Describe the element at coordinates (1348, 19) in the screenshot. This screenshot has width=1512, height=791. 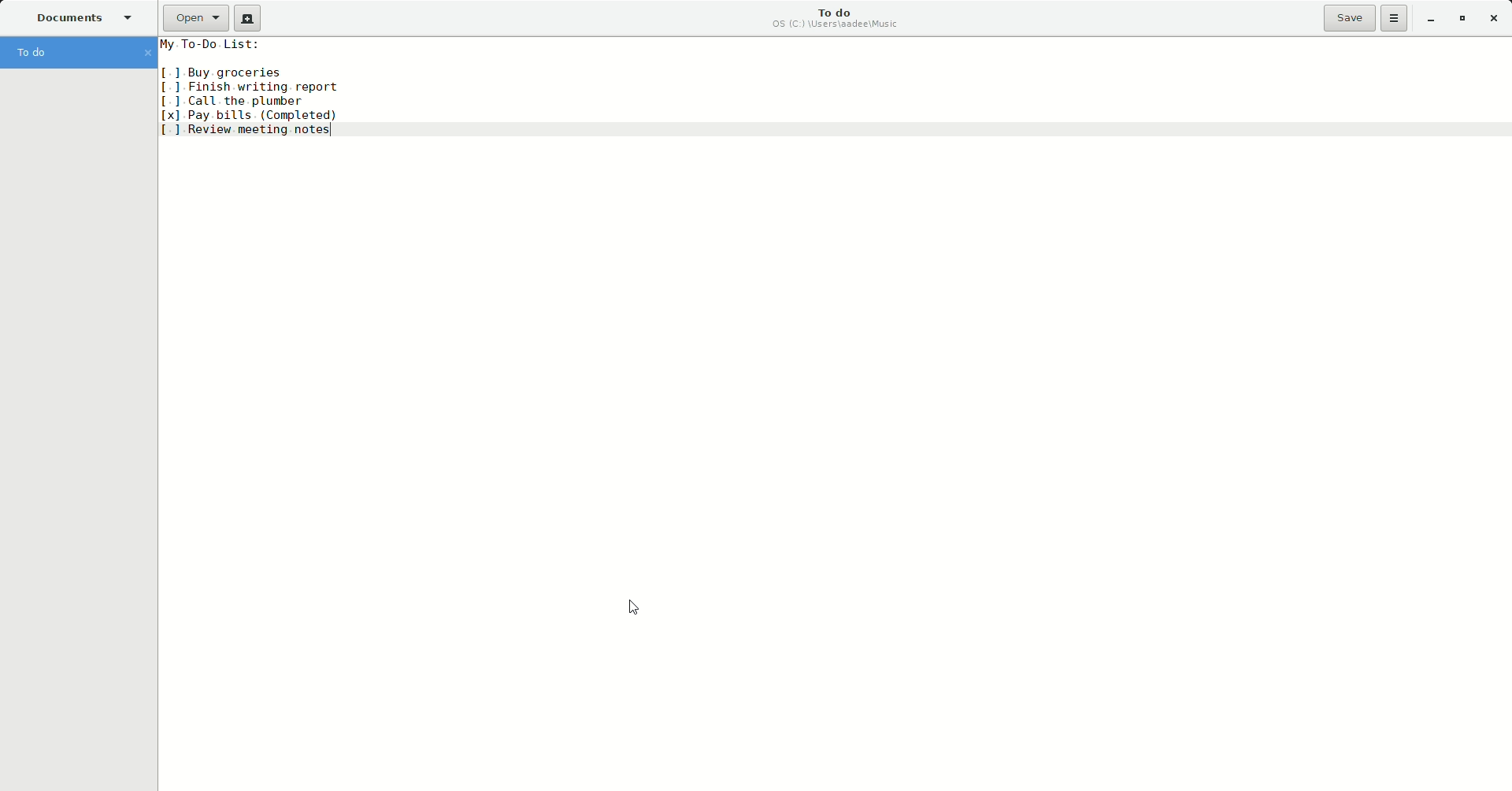
I see `Save` at that location.